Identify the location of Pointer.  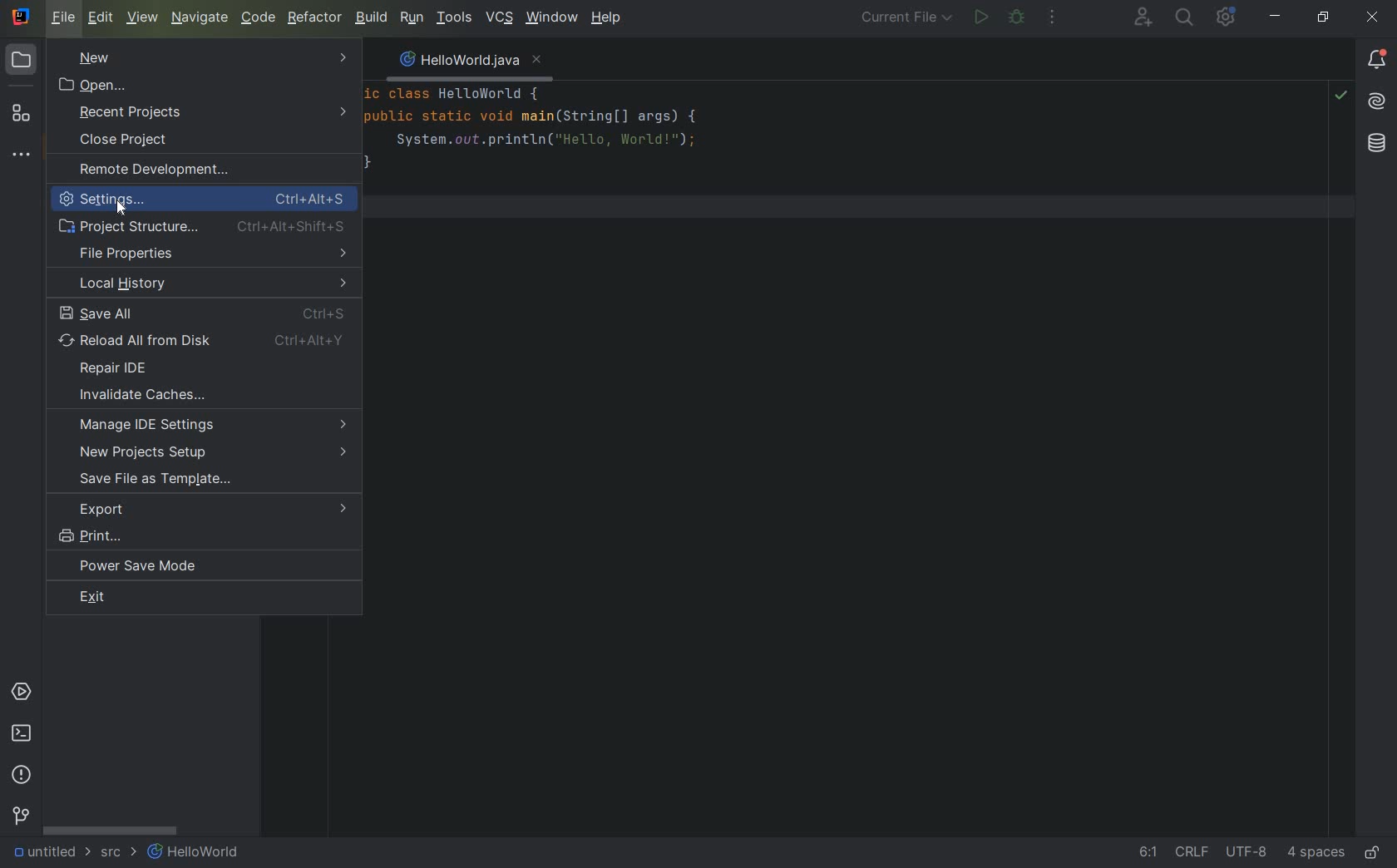
(126, 213).